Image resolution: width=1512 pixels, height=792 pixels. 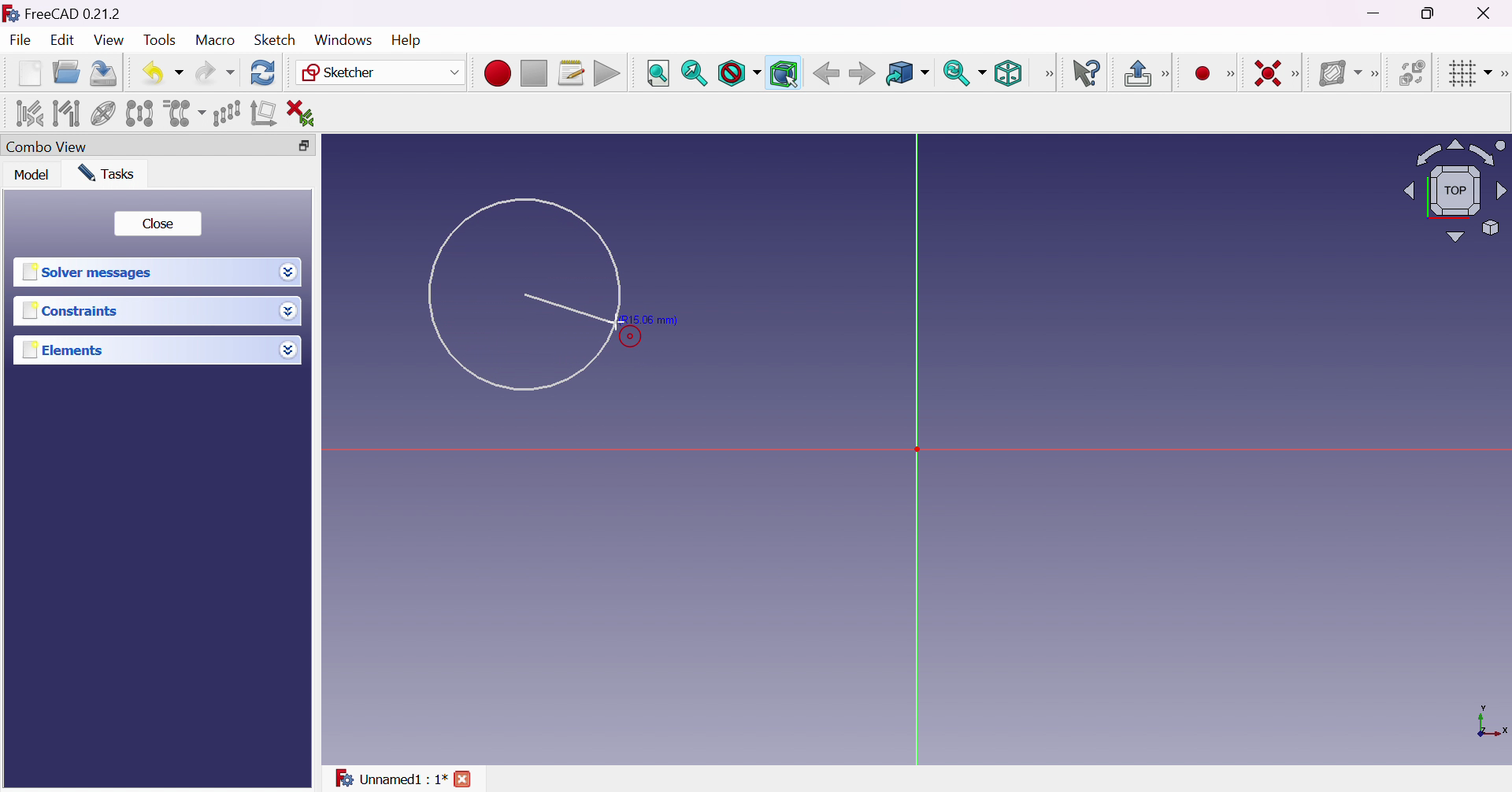 What do you see at coordinates (1377, 13) in the screenshot?
I see `Minimize` at bounding box center [1377, 13].